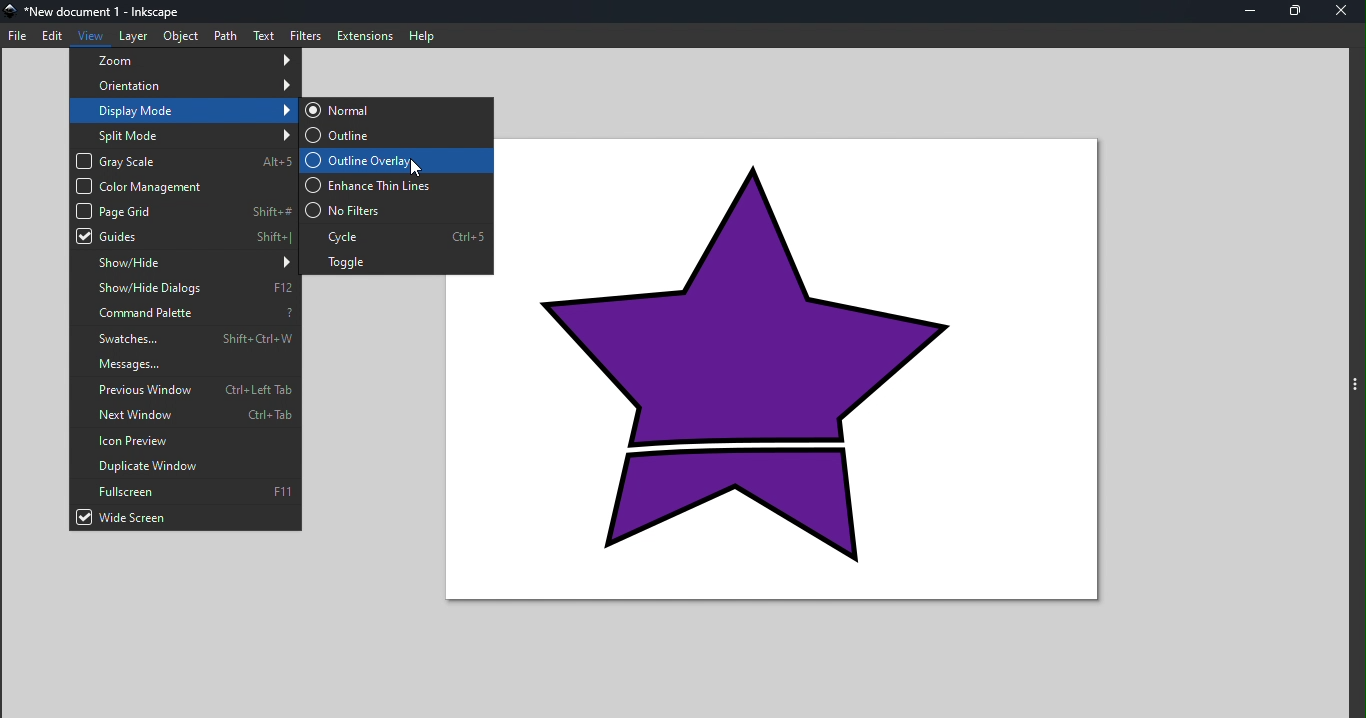 Image resolution: width=1366 pixels, height=718 pixels. Describe the element at coordinates (185, 492) in the screenshot. I see `Full screen` at that location.